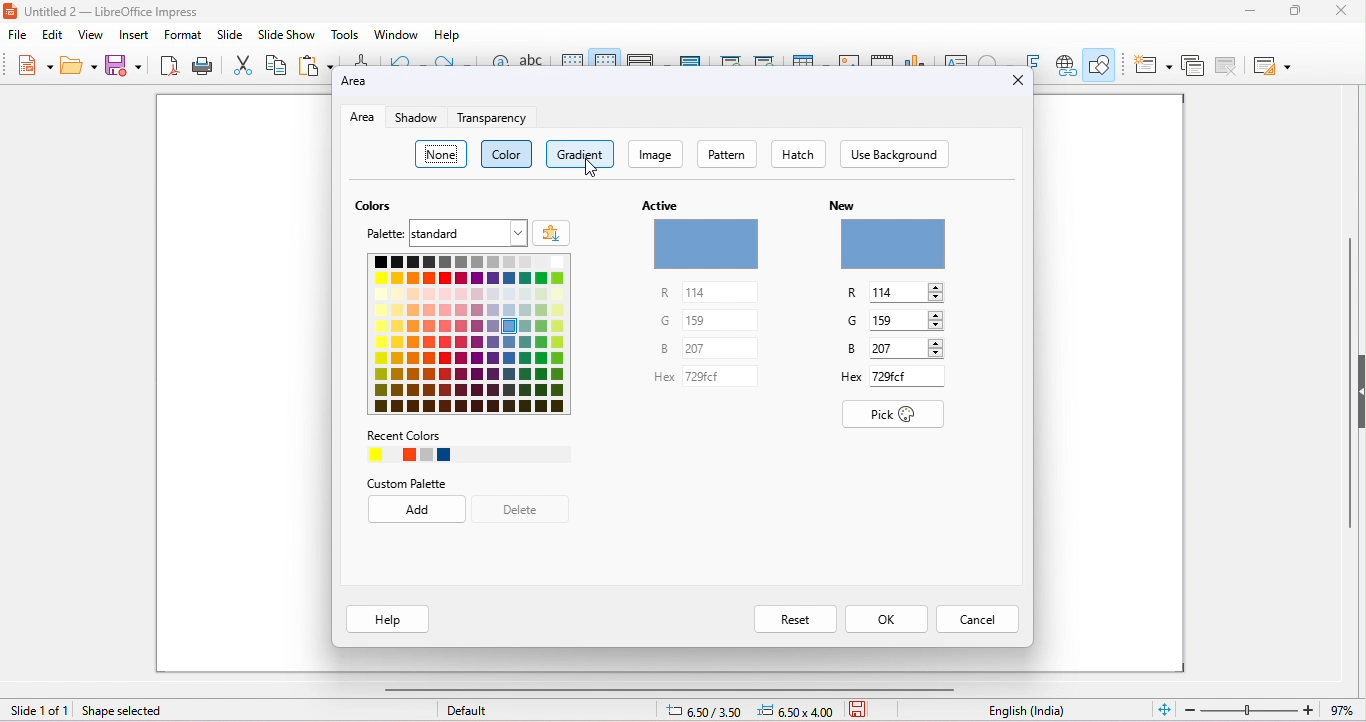 The width and height of the screenshot is (1366, 722). I want to click on pattern, so click(726, 153).